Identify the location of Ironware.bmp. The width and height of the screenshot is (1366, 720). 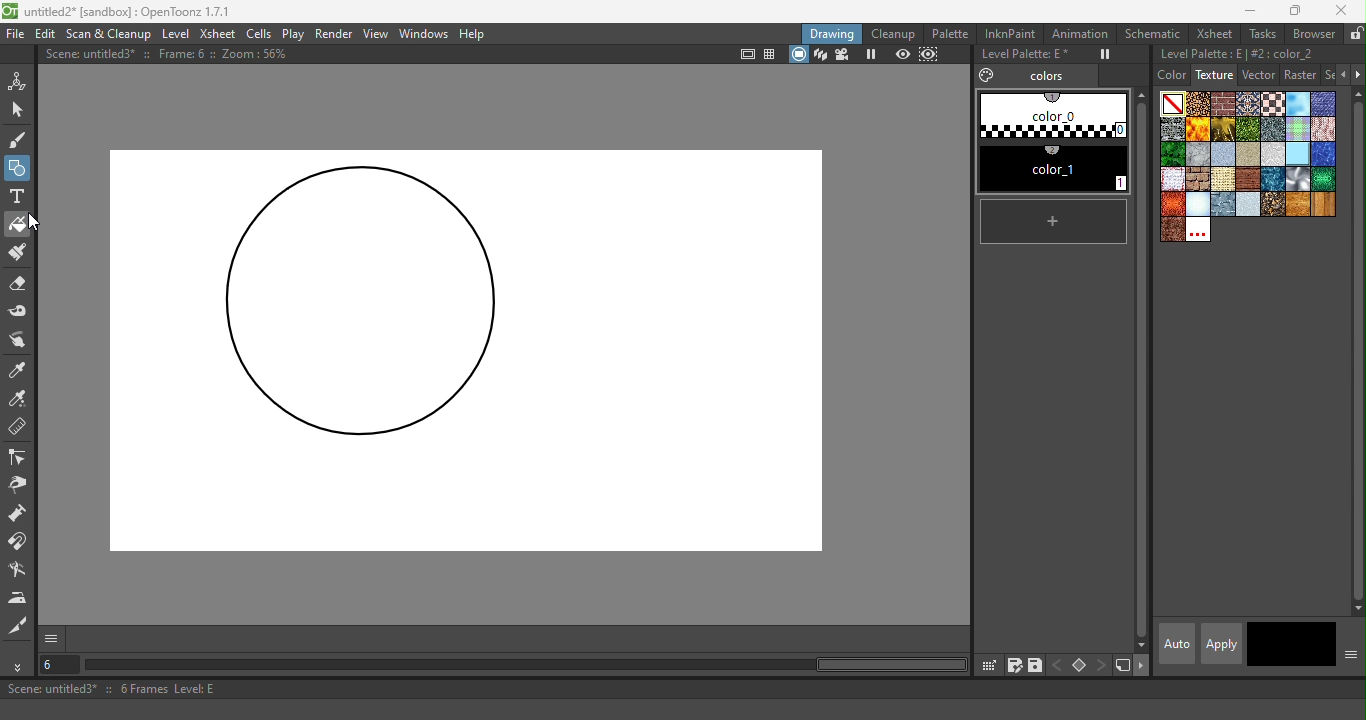
(1273, 129).